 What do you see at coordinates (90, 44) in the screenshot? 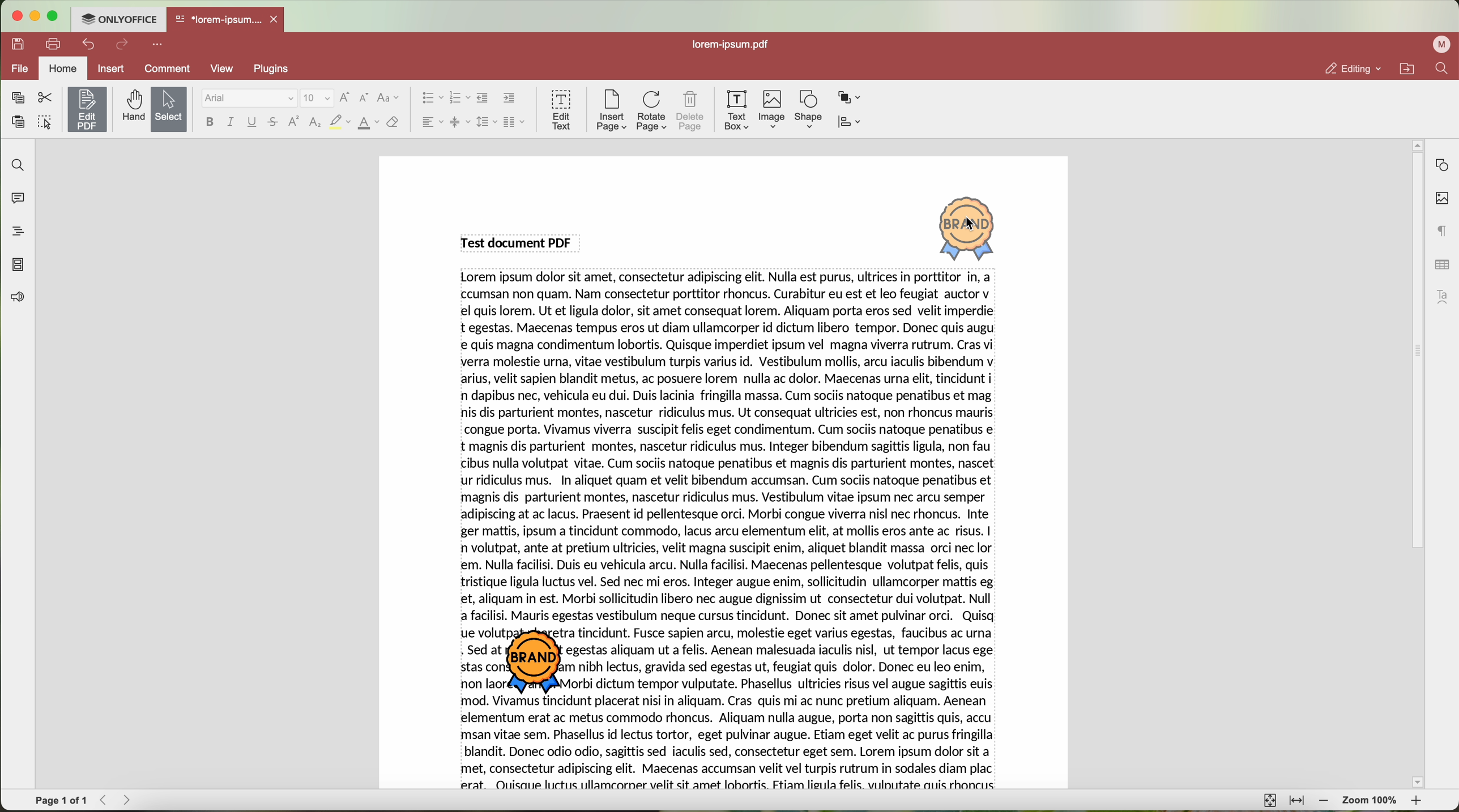
I see `undo` at bounding box center [90, 44].